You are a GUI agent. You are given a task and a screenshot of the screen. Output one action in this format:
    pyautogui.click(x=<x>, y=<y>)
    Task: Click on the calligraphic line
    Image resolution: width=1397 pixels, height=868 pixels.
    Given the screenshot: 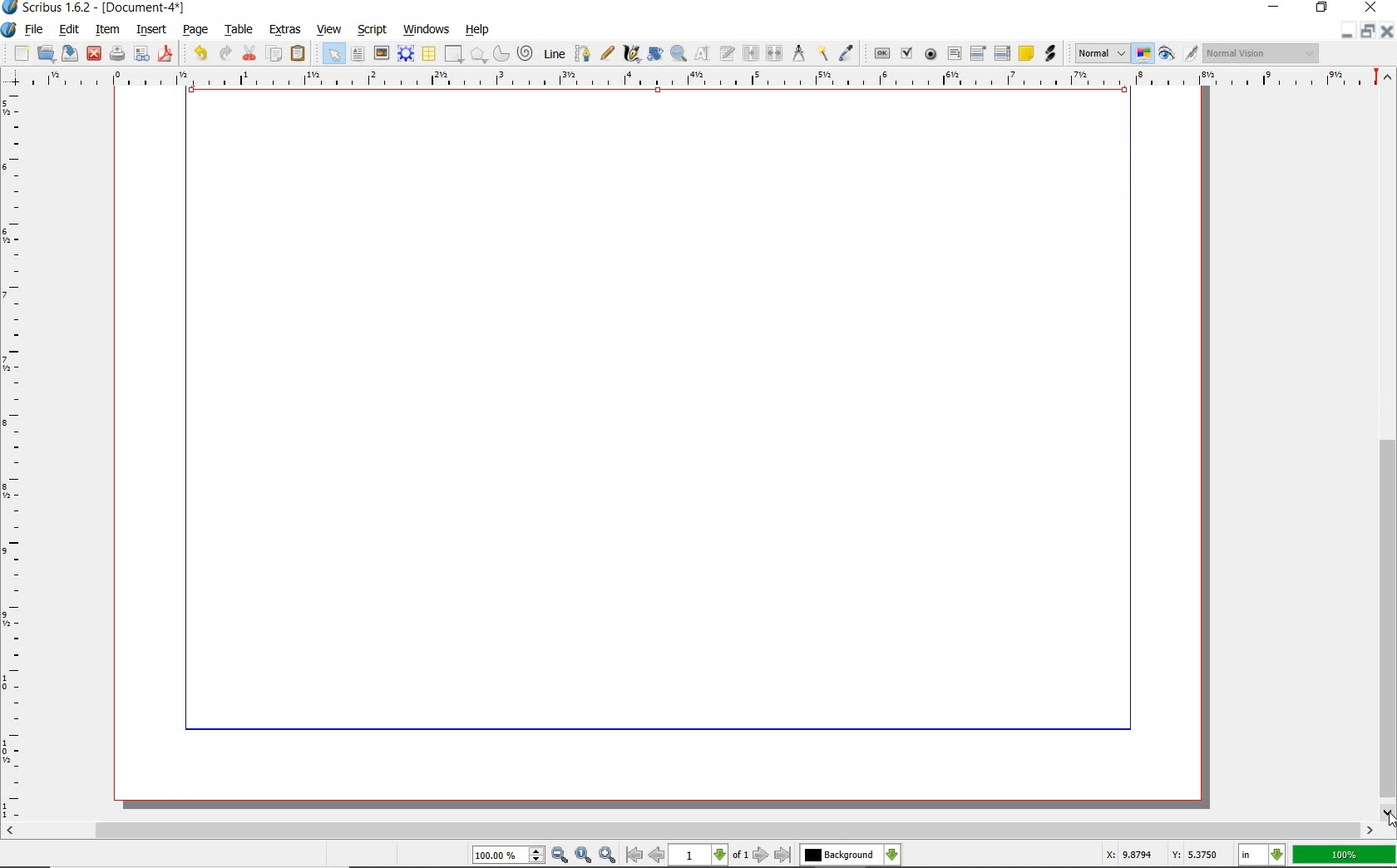 What is the action you would take?
    pyautogui.click(x=631, y=53)
    